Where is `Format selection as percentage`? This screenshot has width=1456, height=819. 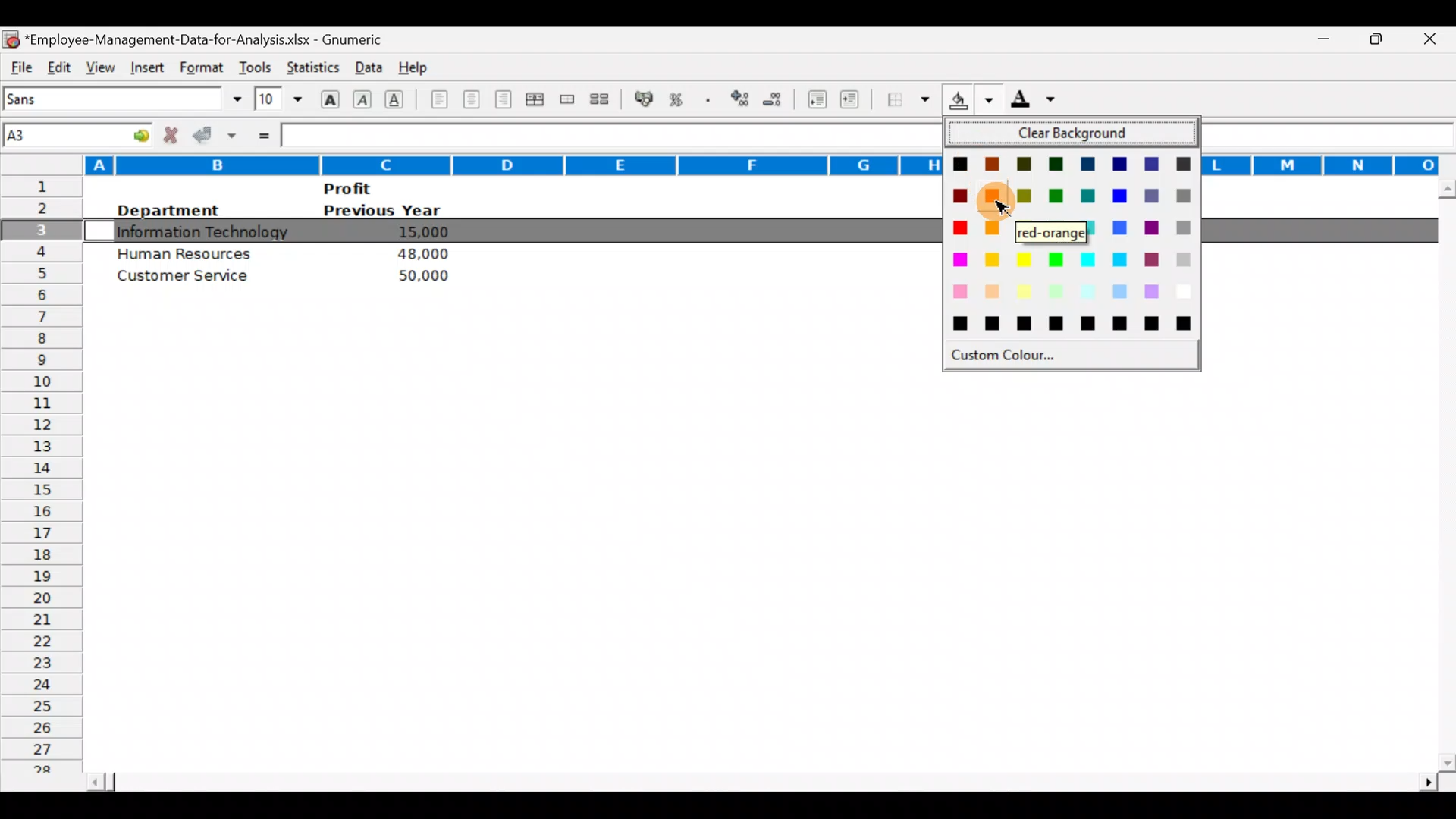
Format selection as percentage is located at coordinates (681, 99).